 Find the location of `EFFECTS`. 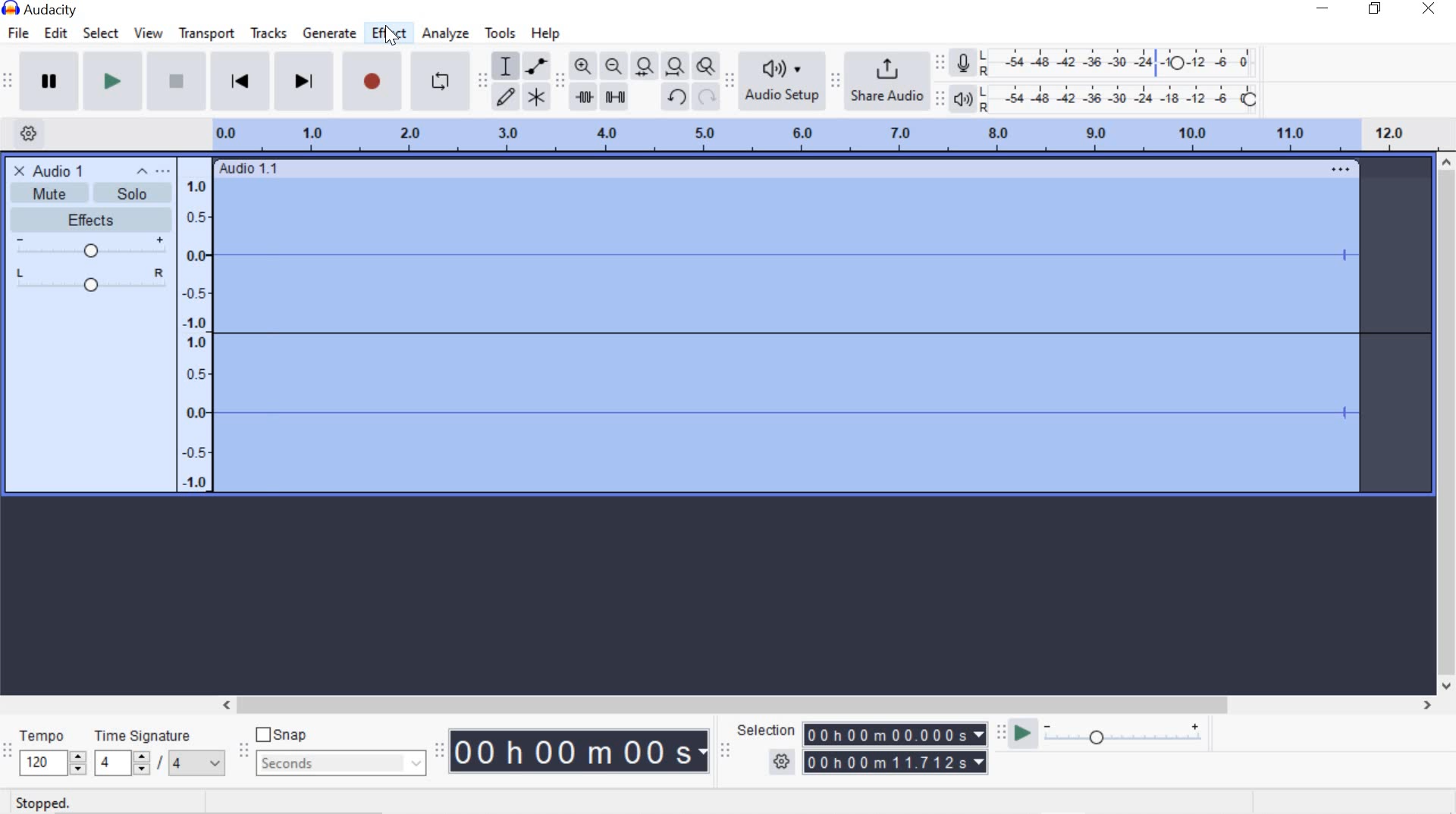

EFFECTS is located at coordinates (87, 218).